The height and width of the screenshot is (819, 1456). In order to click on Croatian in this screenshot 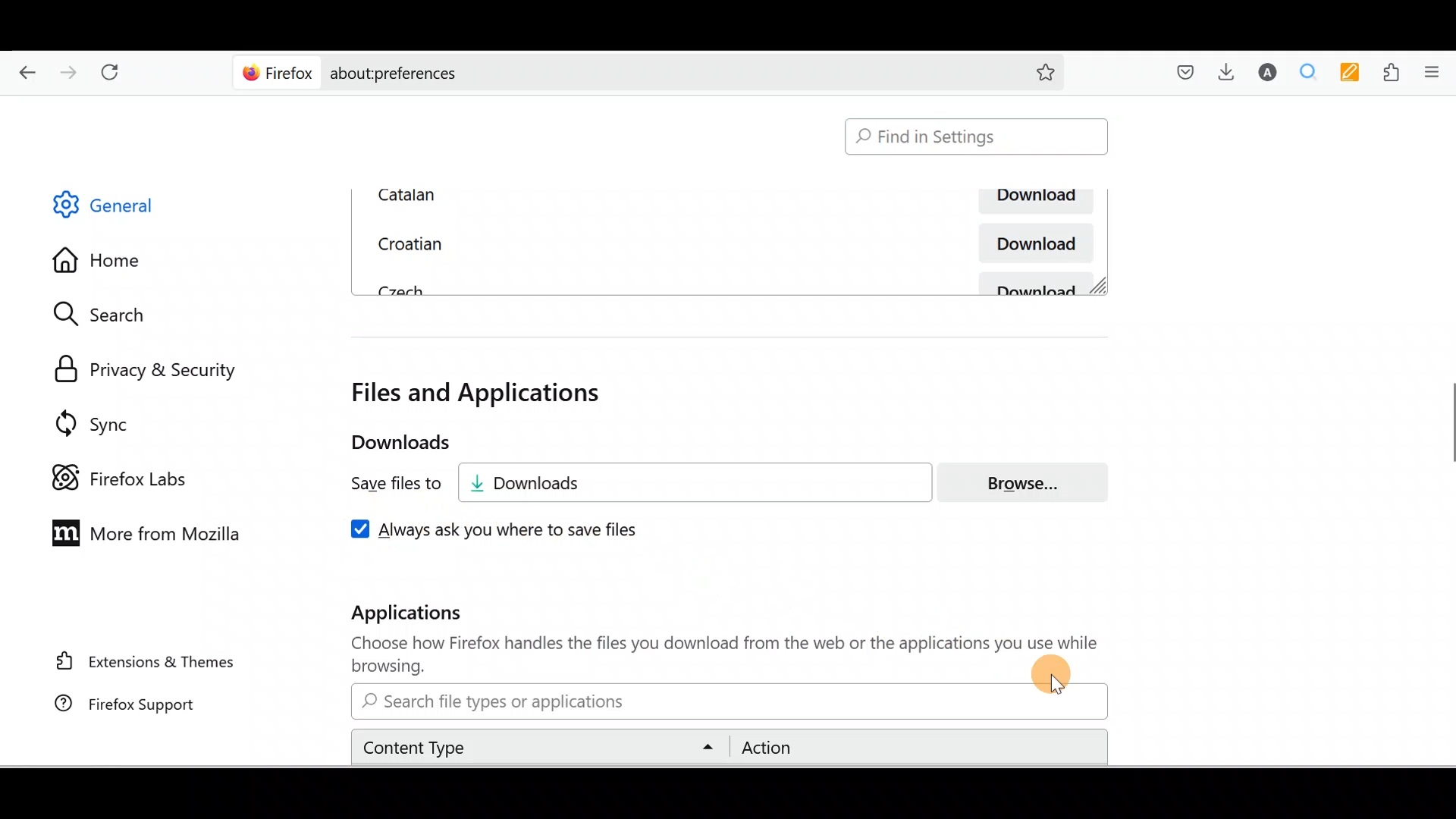, I will do `click(406, 241)`.